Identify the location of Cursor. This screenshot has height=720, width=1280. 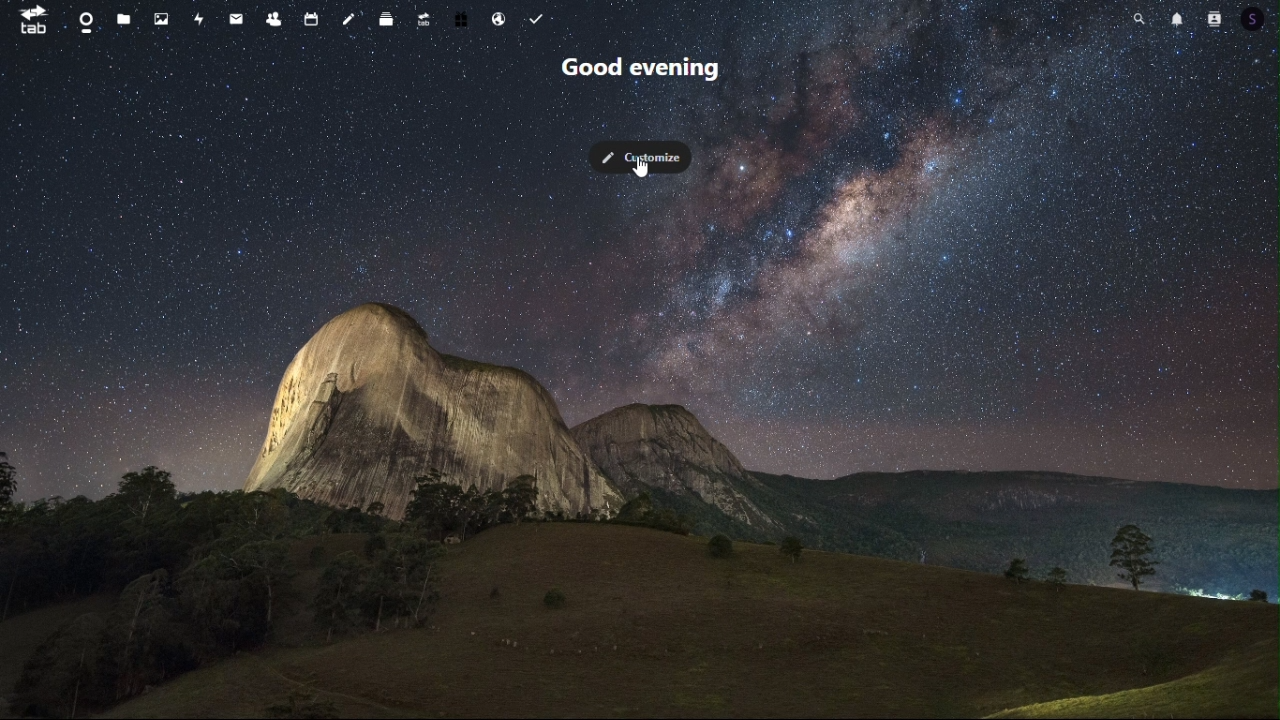
(643, 171).